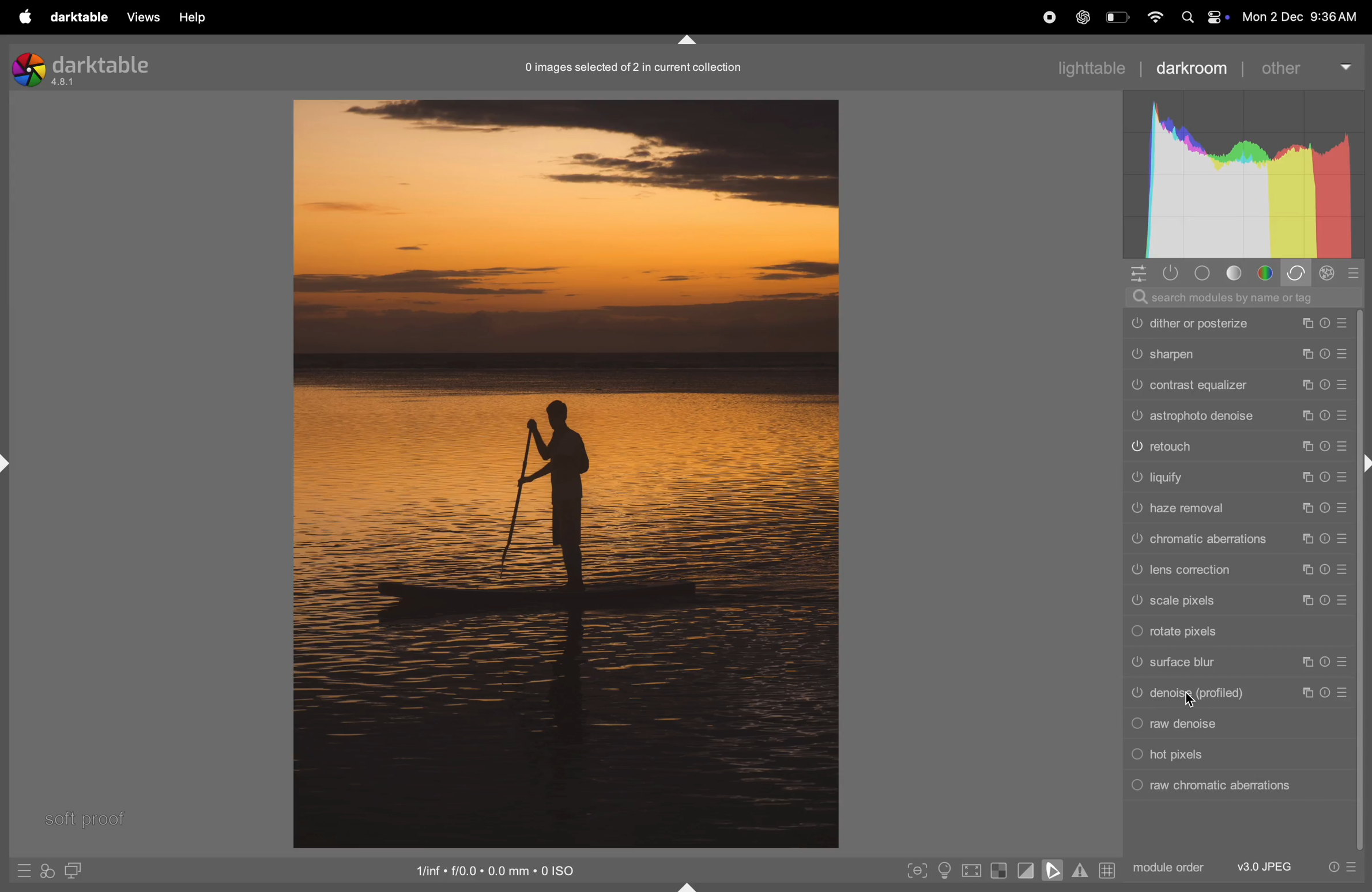 This screenshot has width=1372, height=892. I want to click on effect, so click(1331, 274).